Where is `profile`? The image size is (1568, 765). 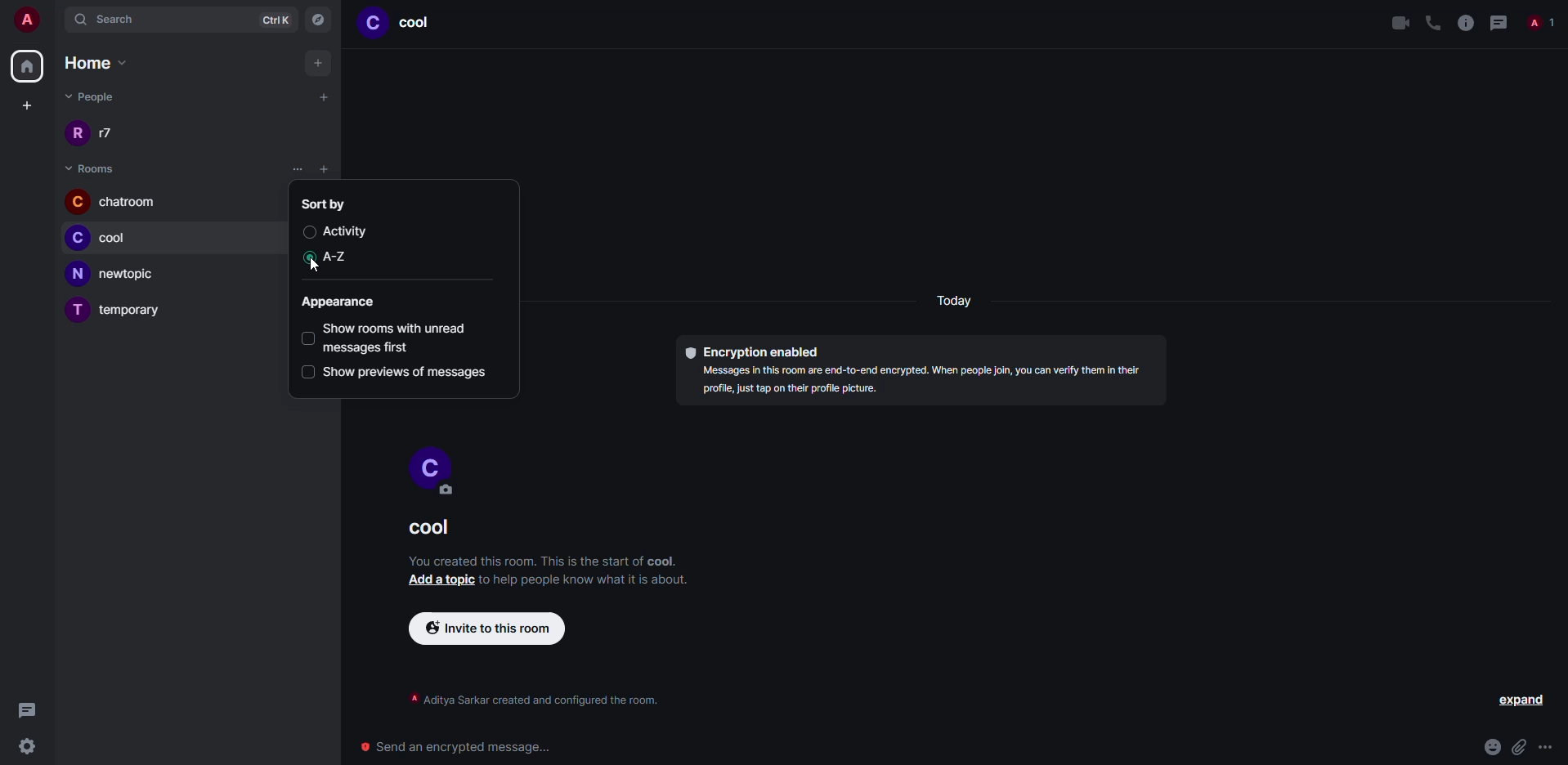
profile is located at coordinates (438, 463).